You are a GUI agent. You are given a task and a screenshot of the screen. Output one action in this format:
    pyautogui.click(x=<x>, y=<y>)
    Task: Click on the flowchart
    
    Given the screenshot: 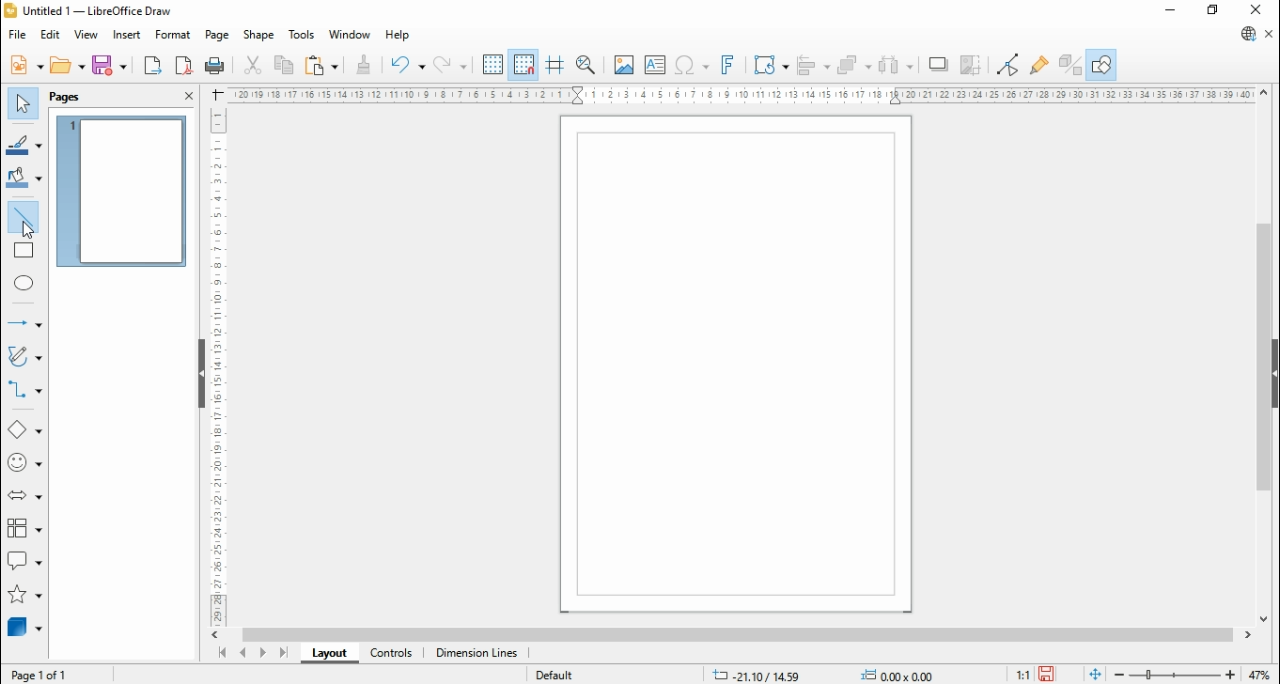 What is the action you would take?
    pyautogui.click(x=24, y=529)
    